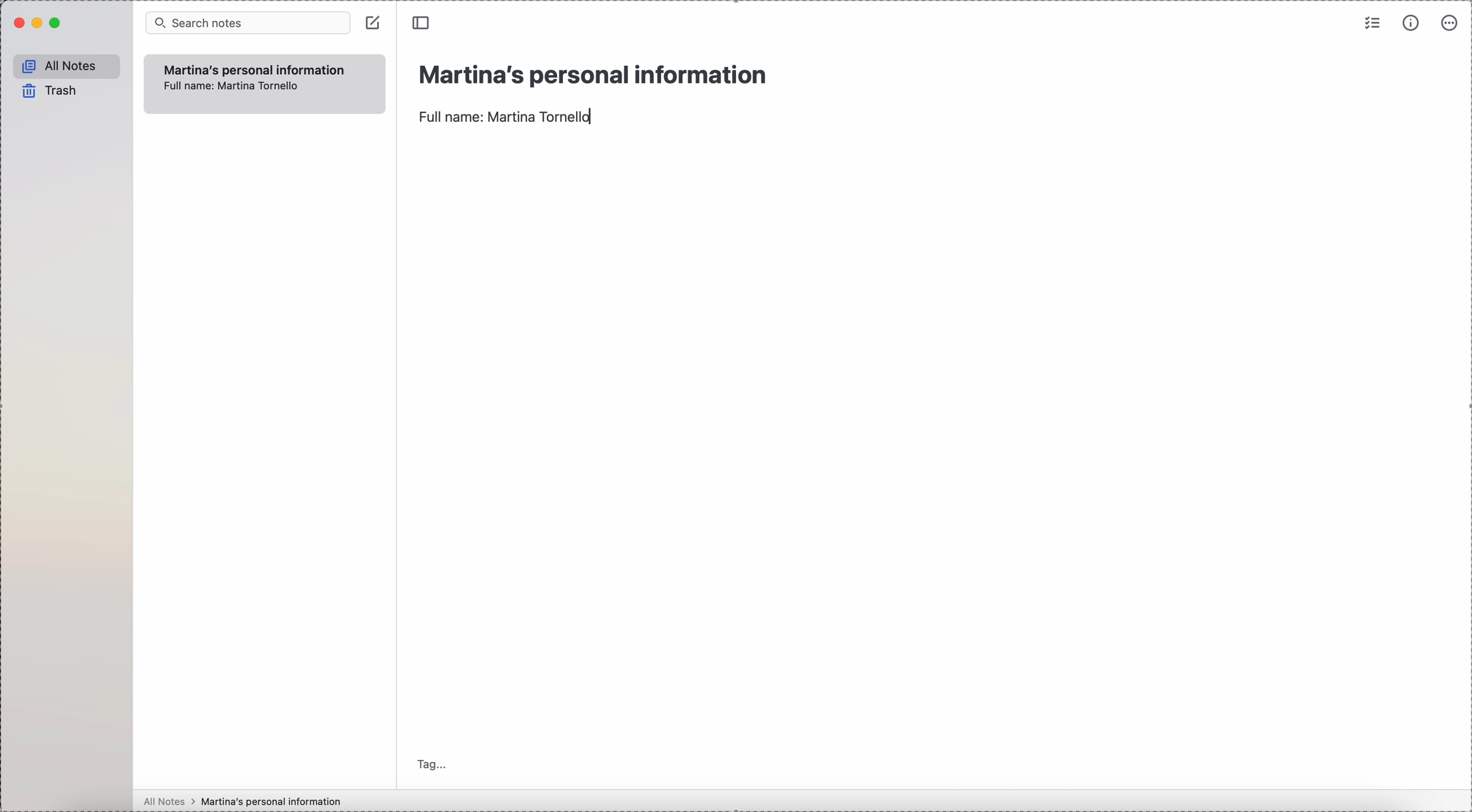 This screenshot has width=1472, height=812. What do you see at coordinates (506, 117) in the screenshot?
I see `full name: Martina Tornello` at bounding box center [506, 117].